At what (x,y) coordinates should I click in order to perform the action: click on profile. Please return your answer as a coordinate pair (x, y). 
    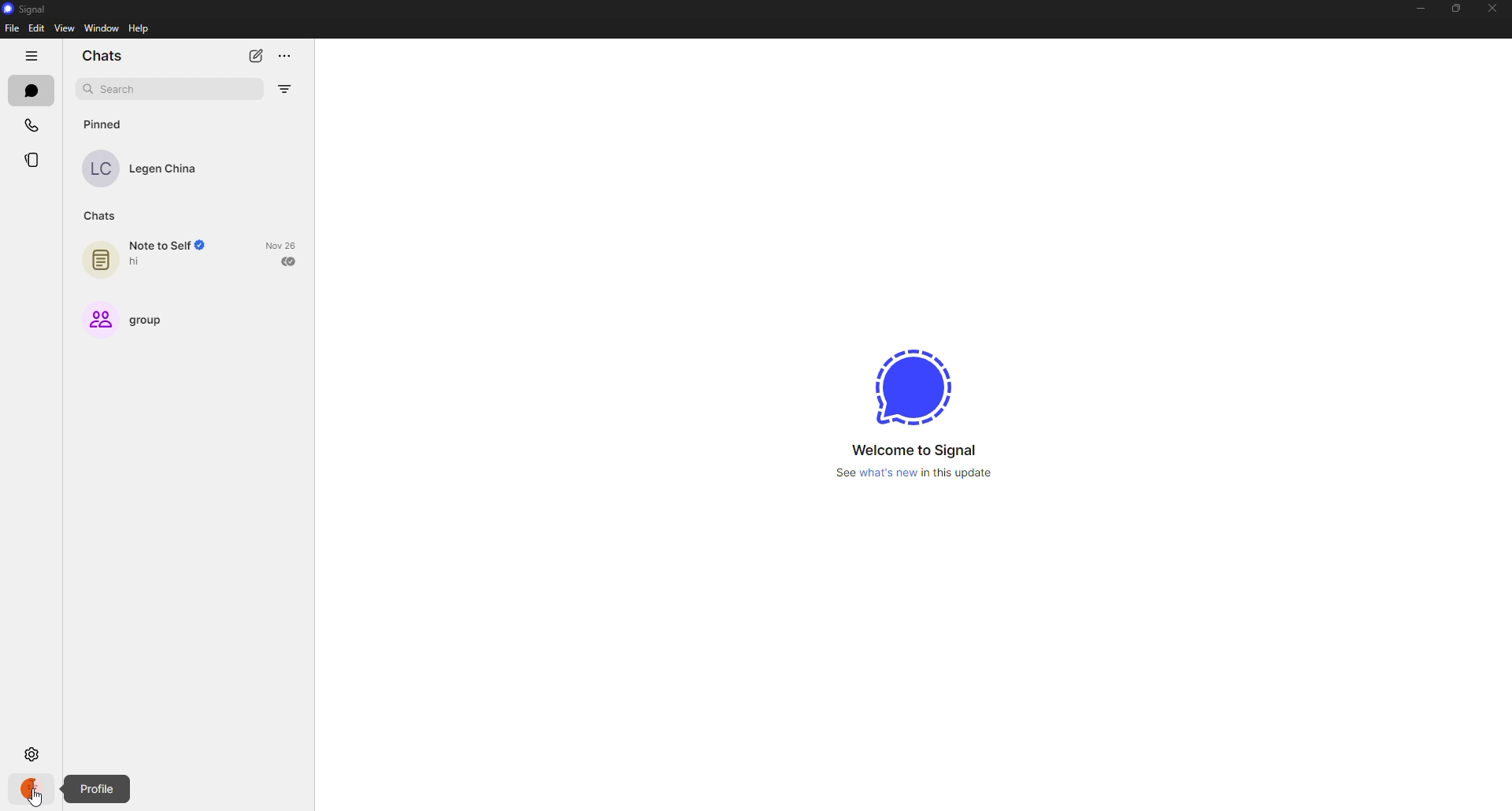
    Looking at the image, I should click on (94, 788).